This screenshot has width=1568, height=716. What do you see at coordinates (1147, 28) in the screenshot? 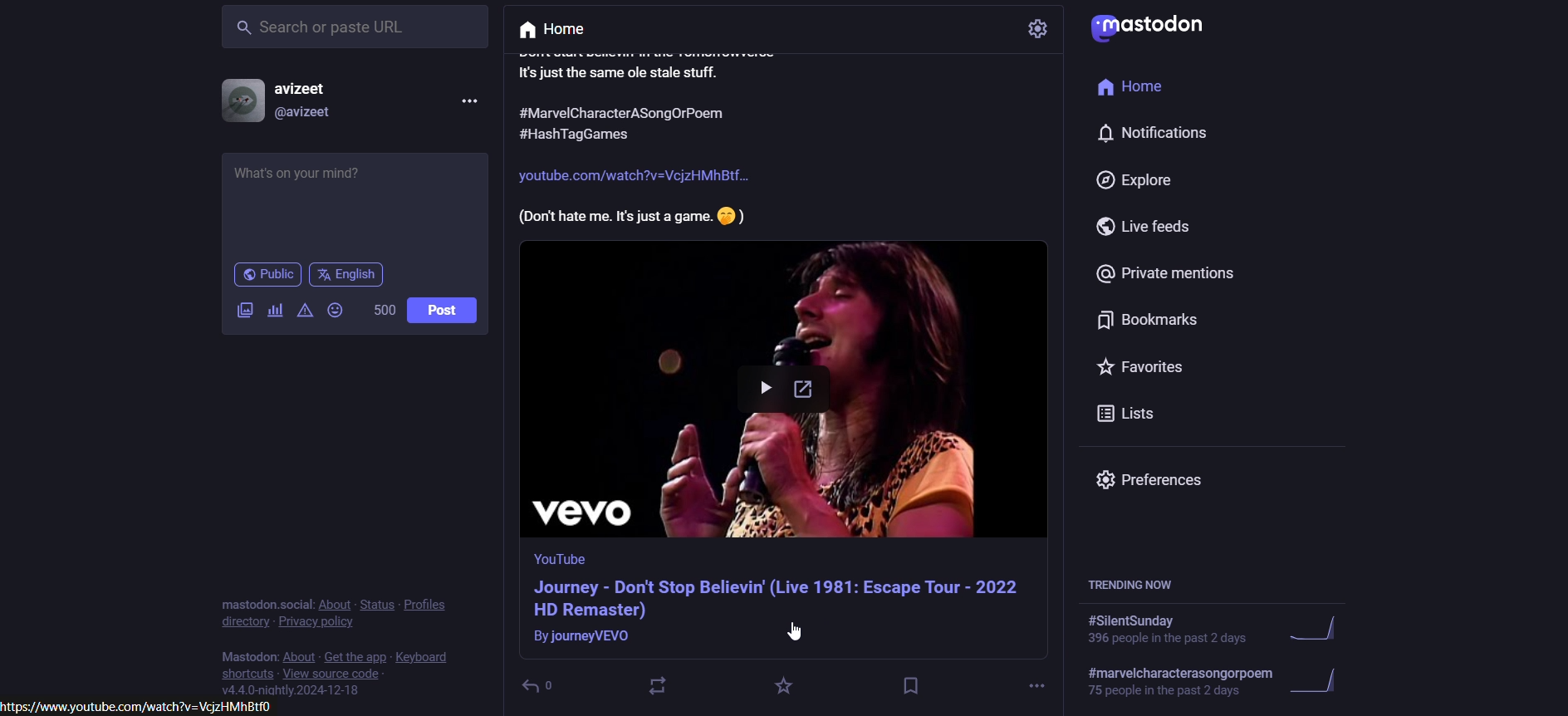
I see `logo` at bounding box center [1147, 28].